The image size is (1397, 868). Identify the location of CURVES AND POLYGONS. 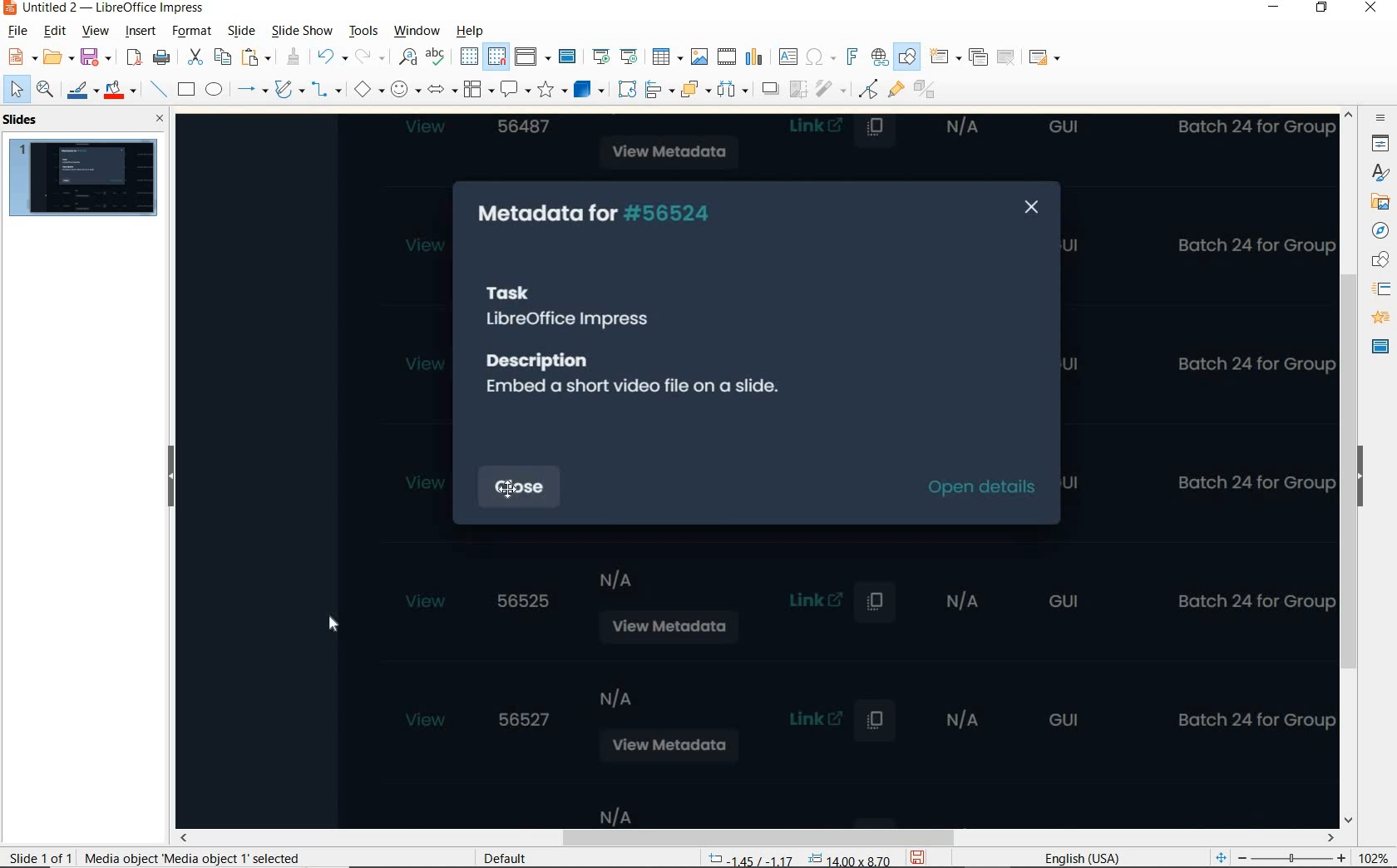
(289, 90).